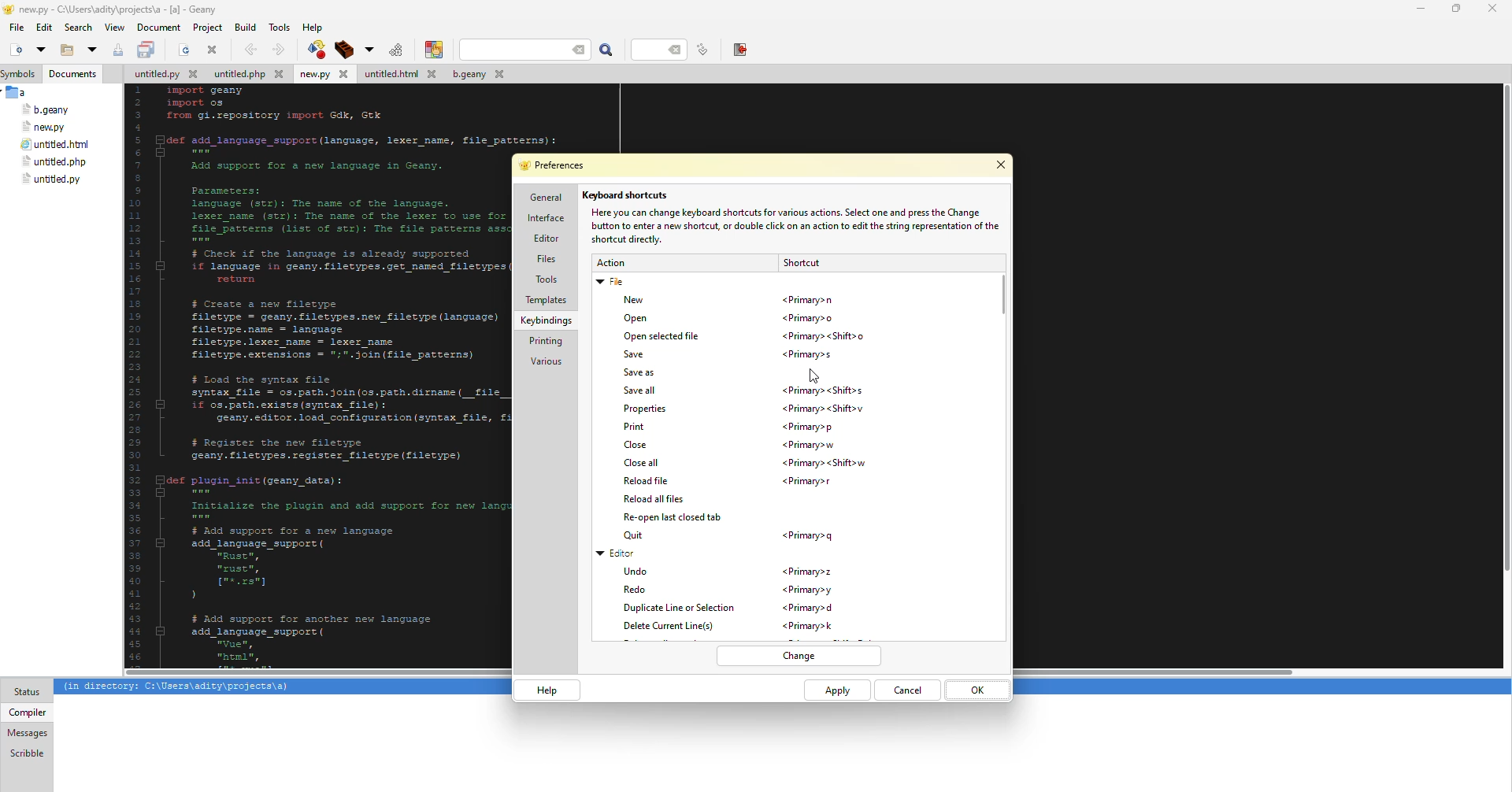  Describe the element at coordinates (28, 733) in the screenshot. I see `messages` at that location.